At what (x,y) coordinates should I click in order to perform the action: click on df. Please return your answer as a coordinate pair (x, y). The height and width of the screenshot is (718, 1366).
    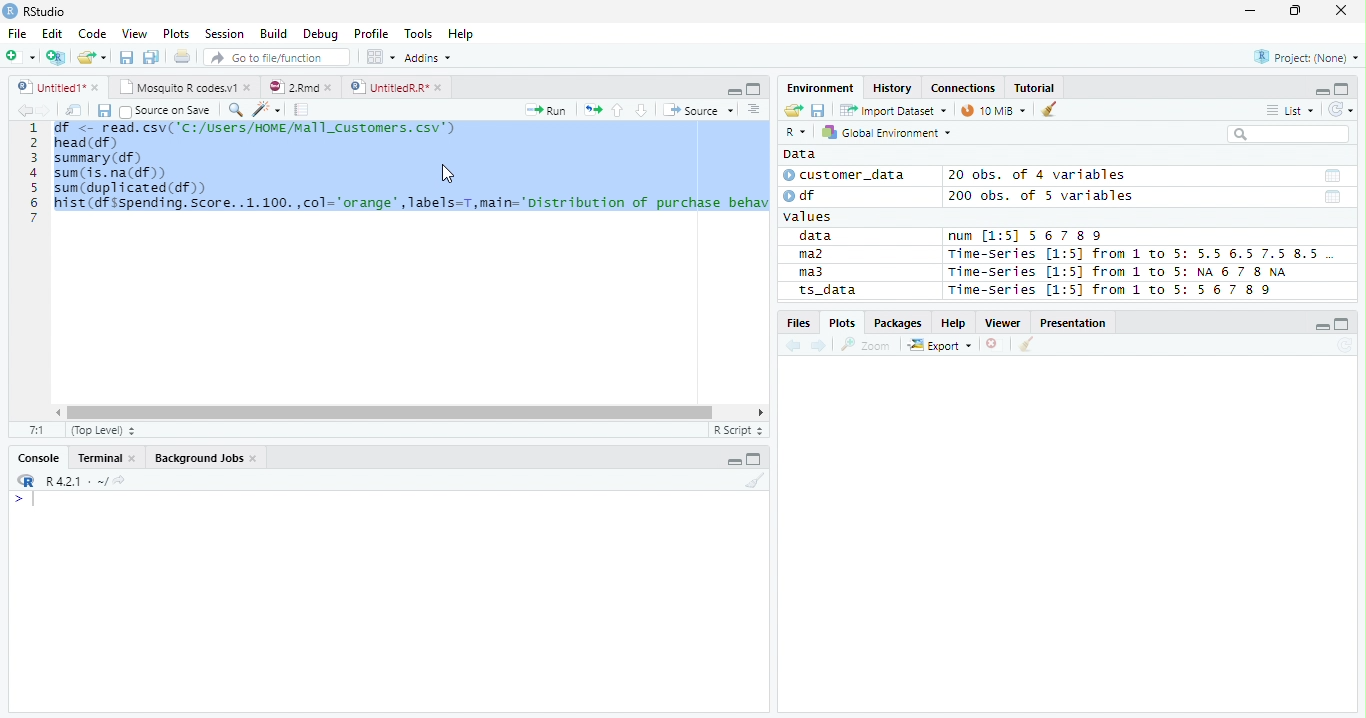
    Looking at the image, I should click on (806, 195).